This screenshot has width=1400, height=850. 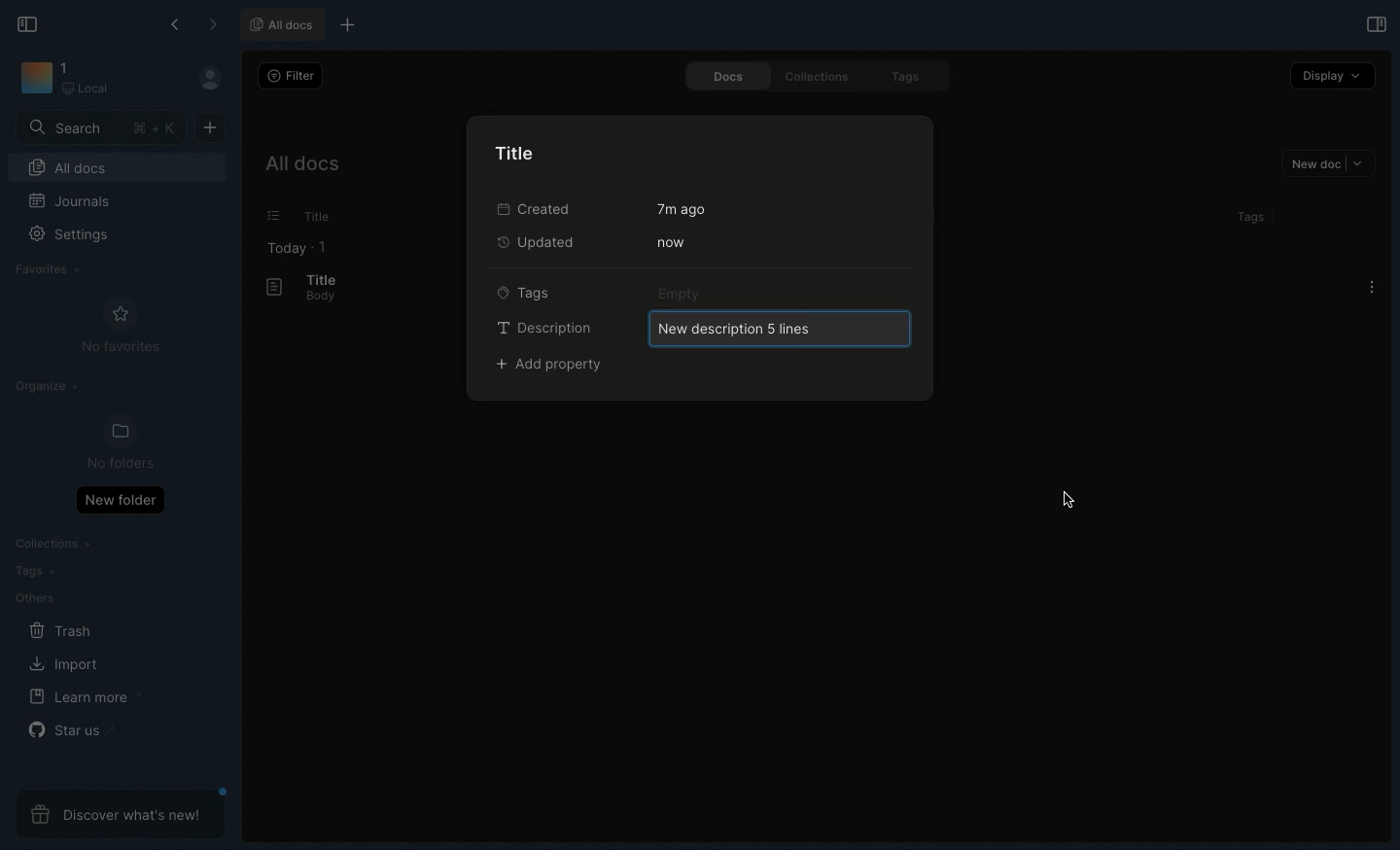 What do you see at coordinates (1072, 505) in the screenshot?
I see `cursor` at bounding box center [1072, 505].